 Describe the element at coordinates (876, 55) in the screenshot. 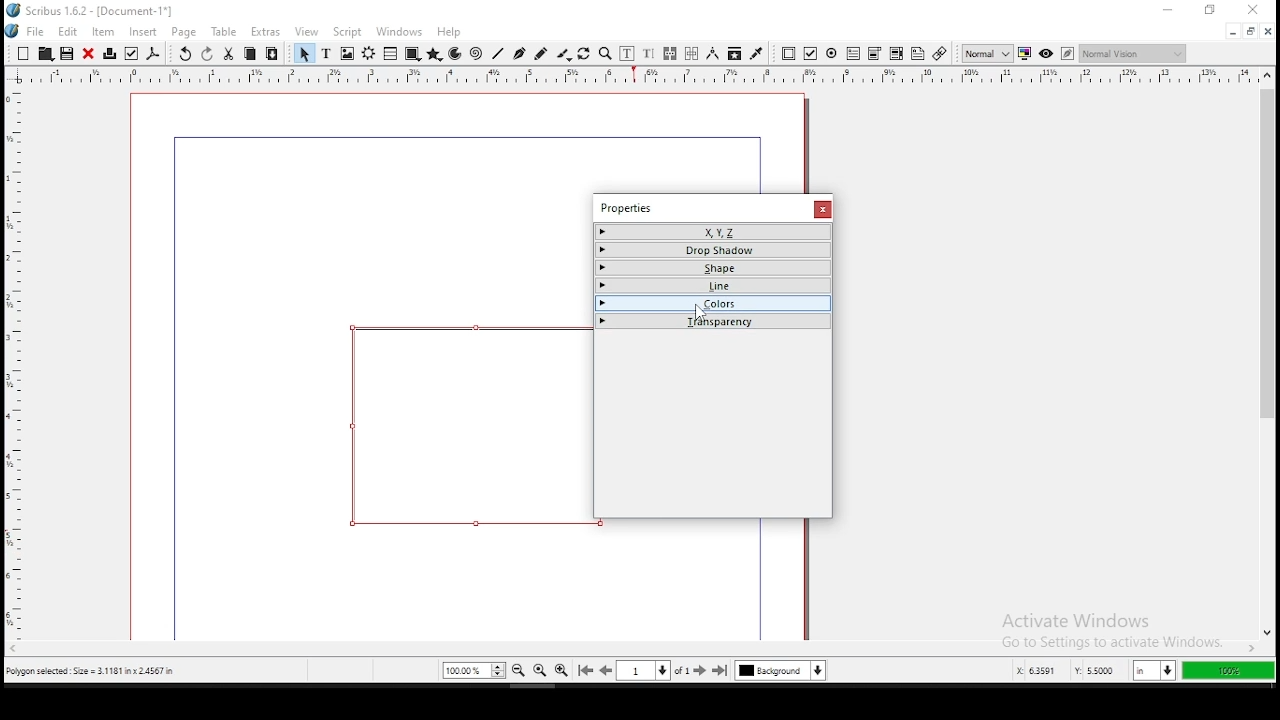

I see `pdf list box` at that location.